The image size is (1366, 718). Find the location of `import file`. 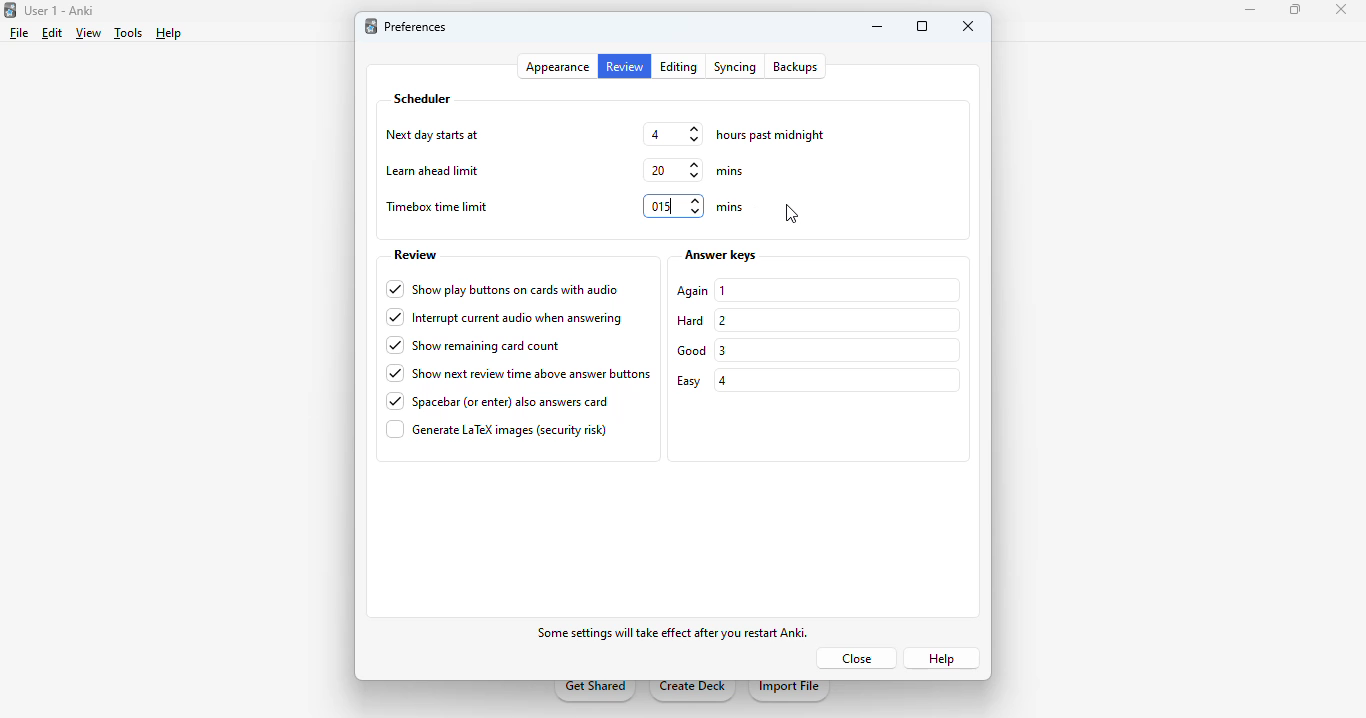

import file is located at coordinates (788, 691).